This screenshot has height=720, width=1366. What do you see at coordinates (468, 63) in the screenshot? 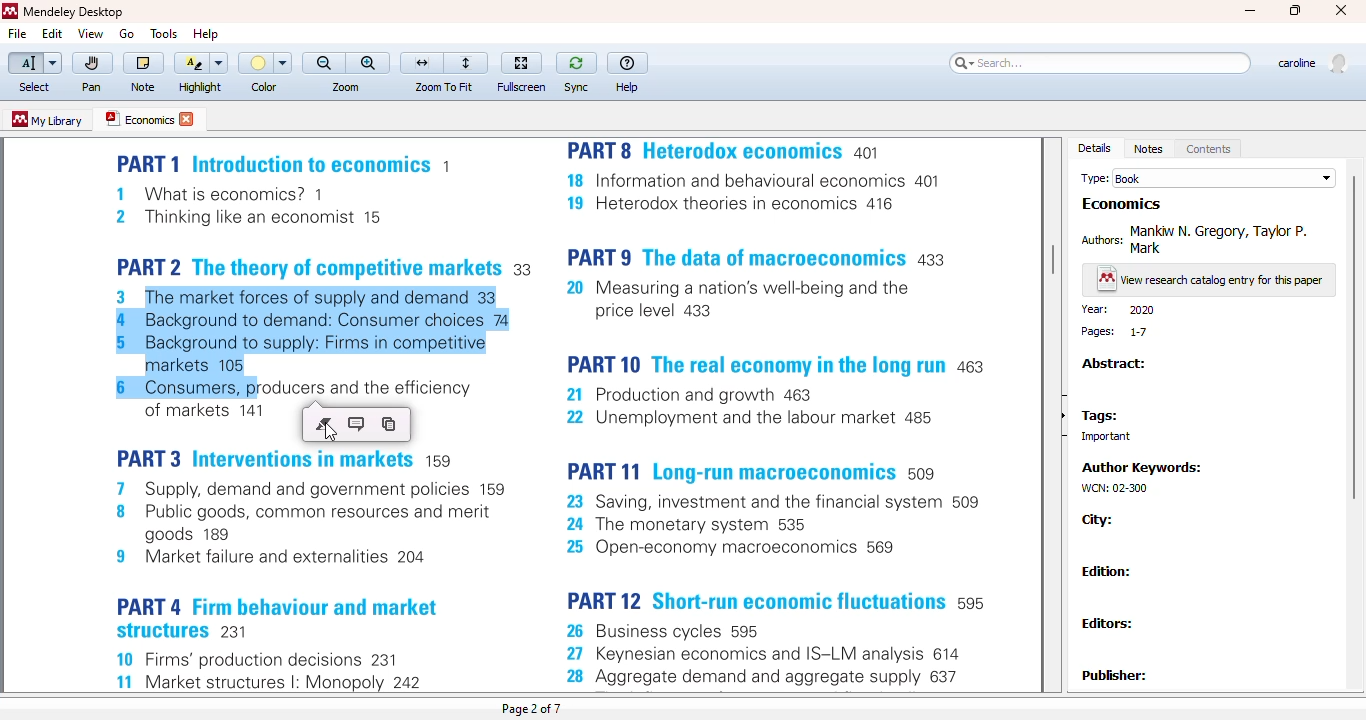
I see `fit to page` at bounding box center [468, 63].